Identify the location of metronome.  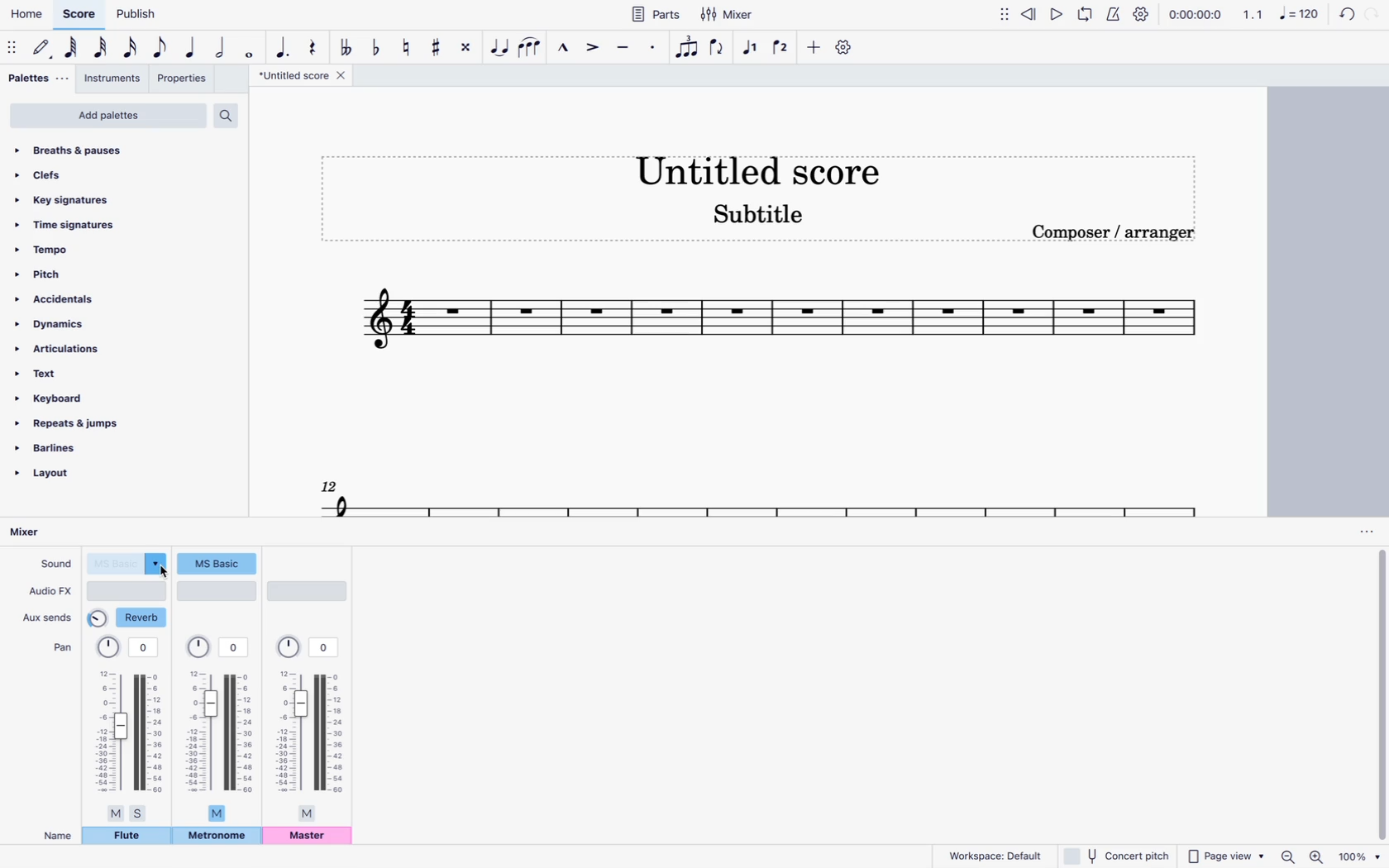
(1112, 13).